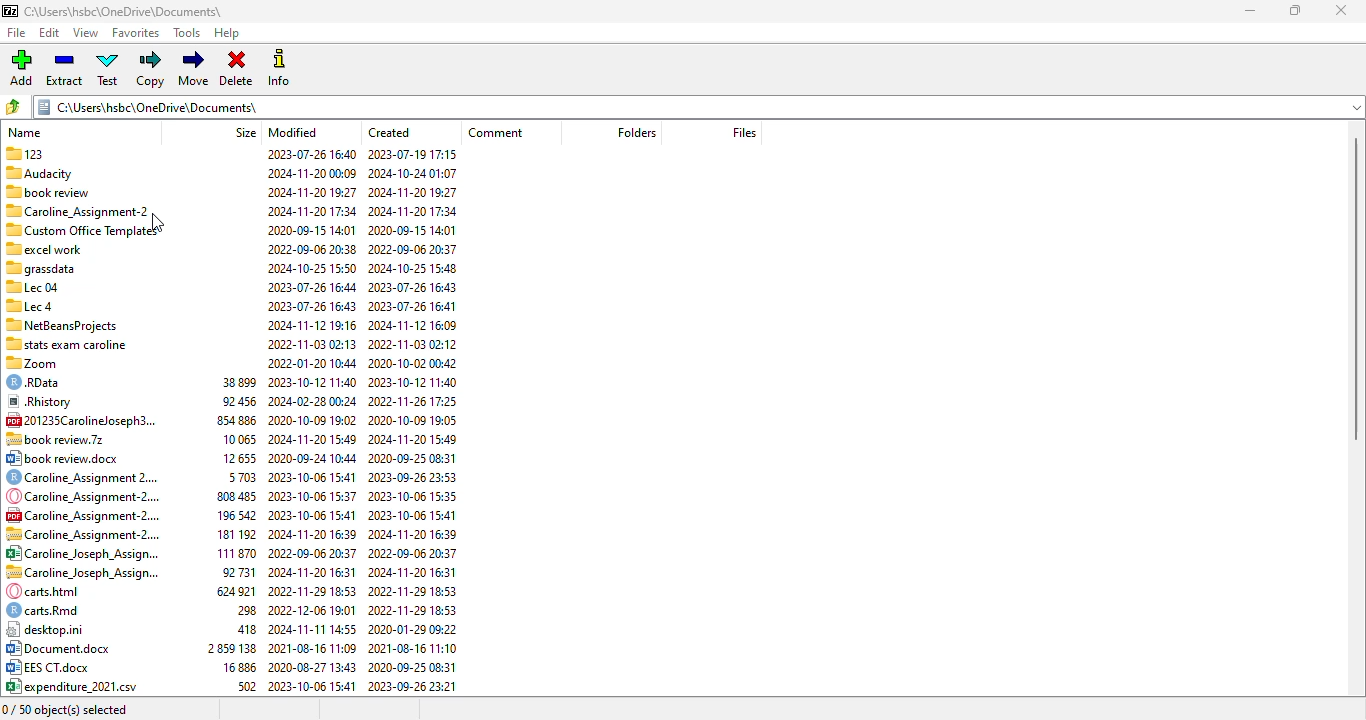  I want to click on  desktop.ini, so click(47, 629).